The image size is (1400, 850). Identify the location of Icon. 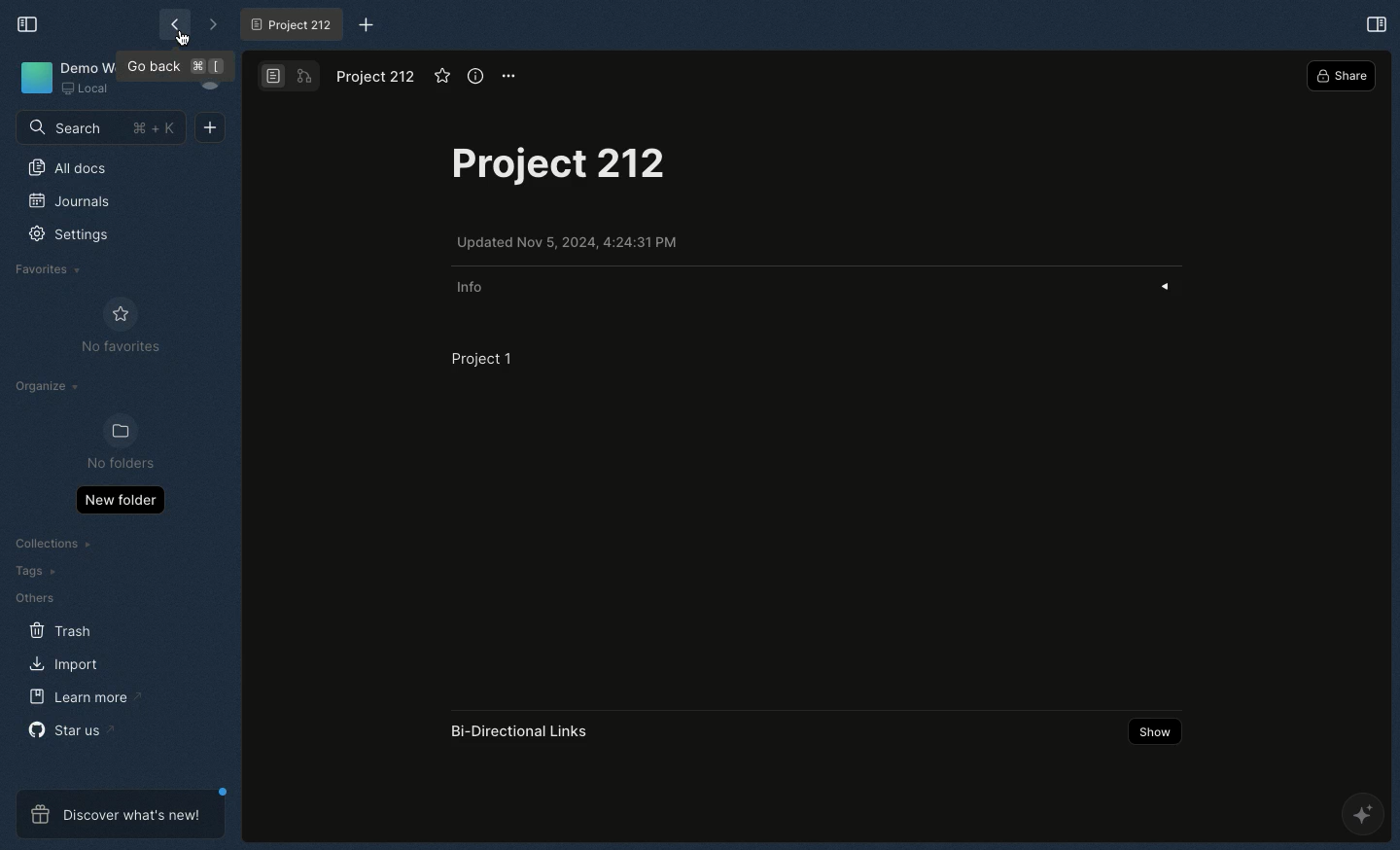
(32, 78).